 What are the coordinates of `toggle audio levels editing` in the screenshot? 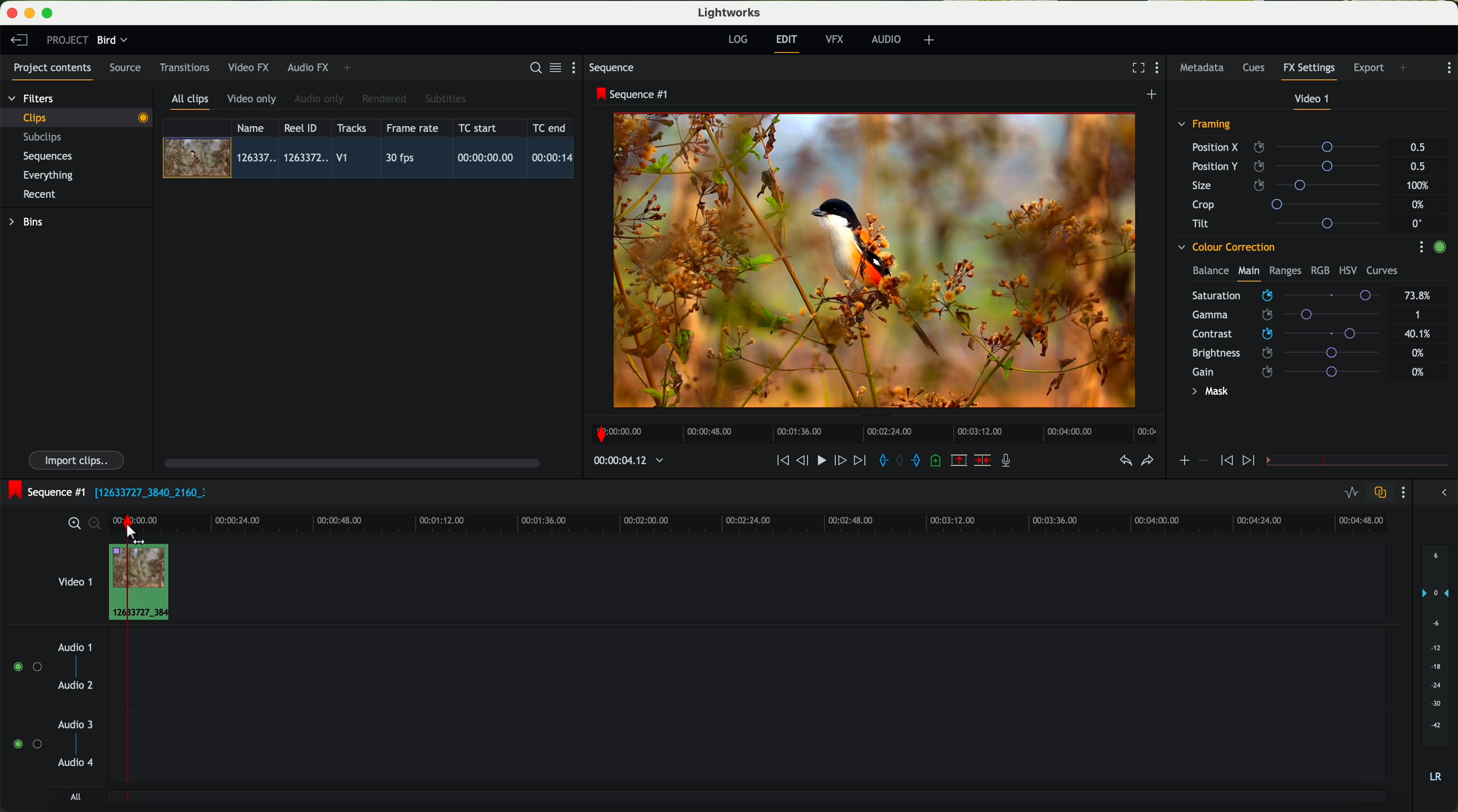 It's located at (1351, 494).